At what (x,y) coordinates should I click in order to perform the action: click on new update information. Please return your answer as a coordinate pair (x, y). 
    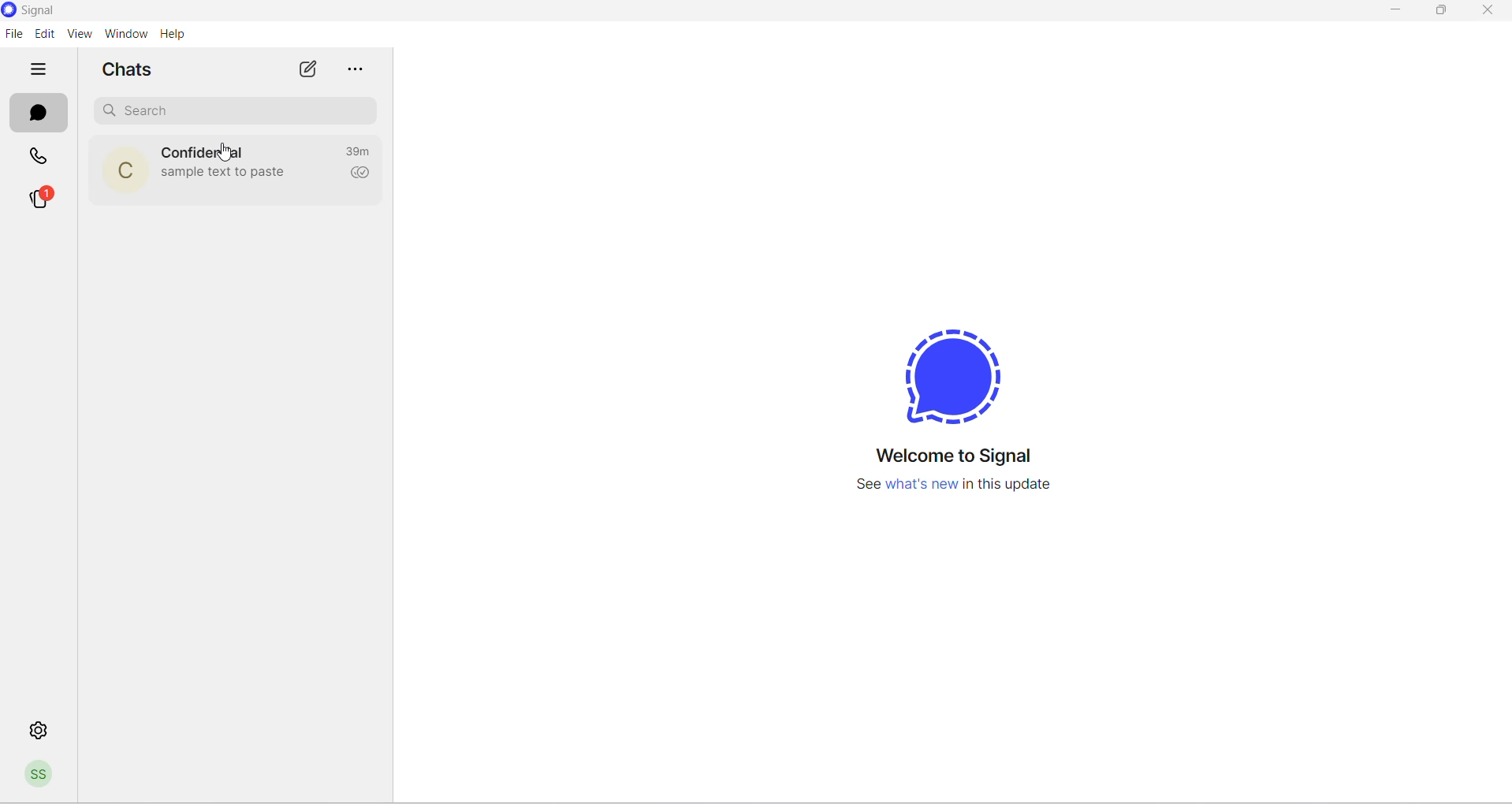
    Looking at the image, I should click on (947, 486).